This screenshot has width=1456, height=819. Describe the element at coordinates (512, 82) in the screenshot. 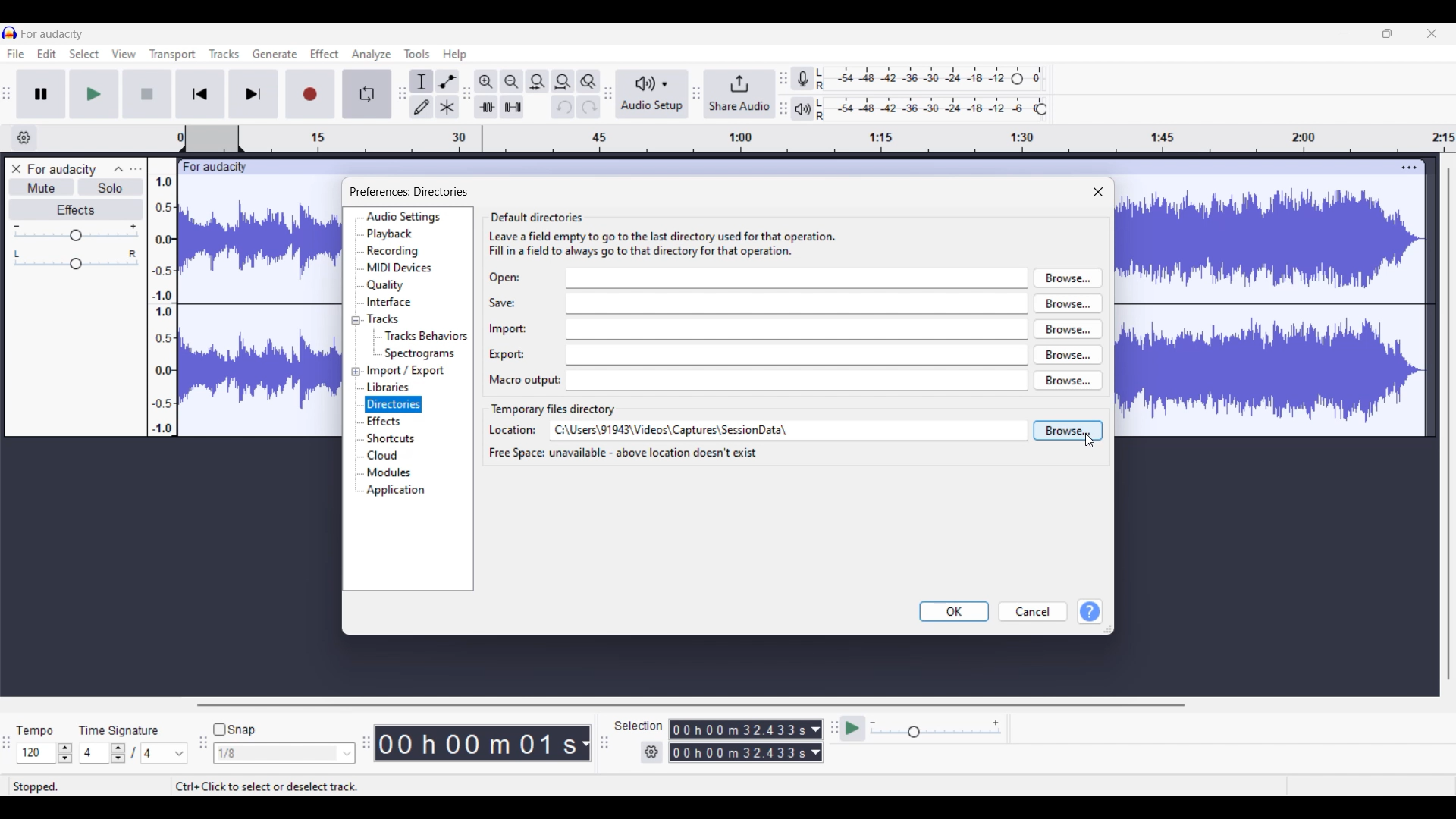

I see `Zoom out` at that location.